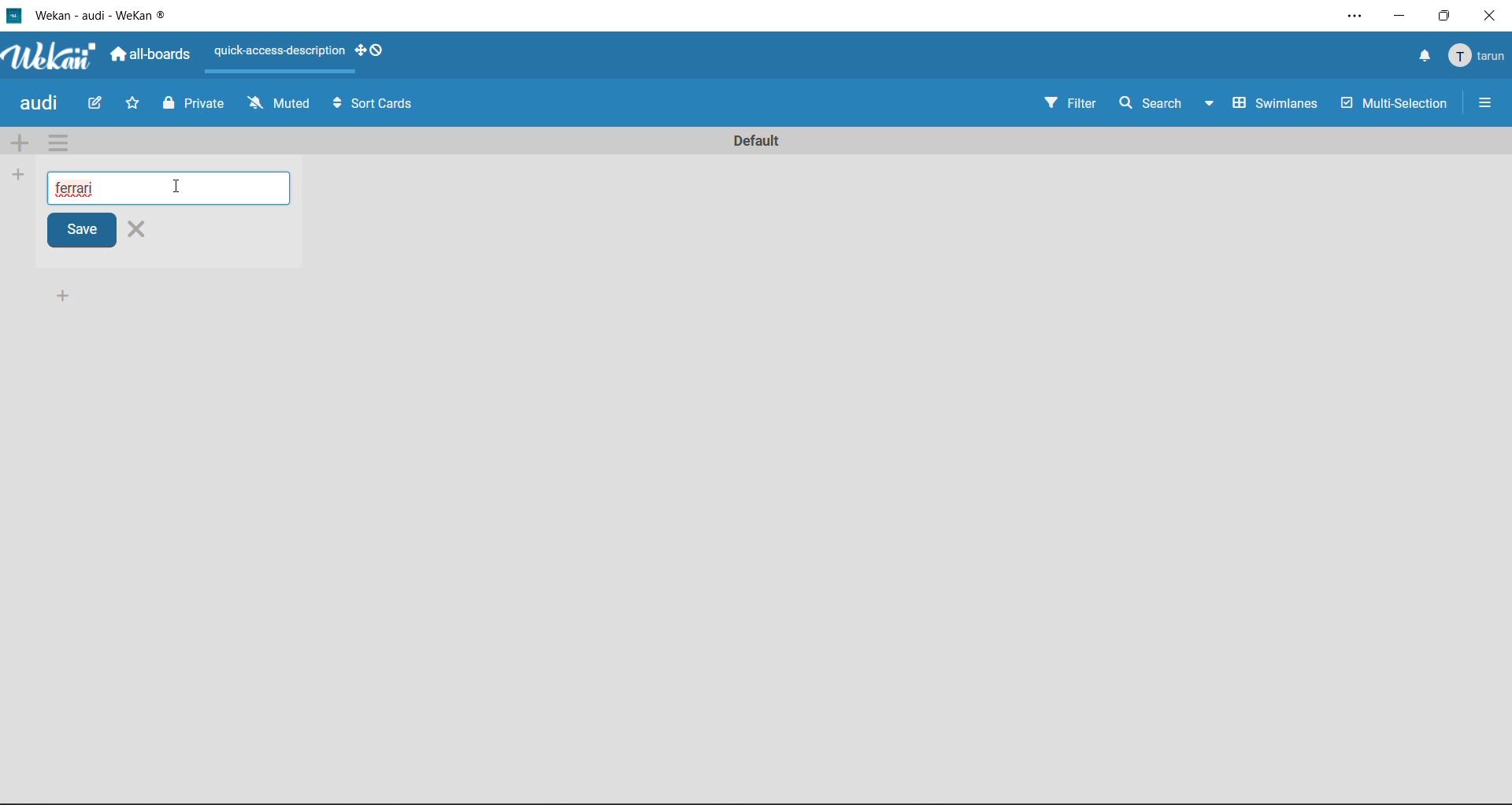  I want to click on swimlane action, so click(57, 142).